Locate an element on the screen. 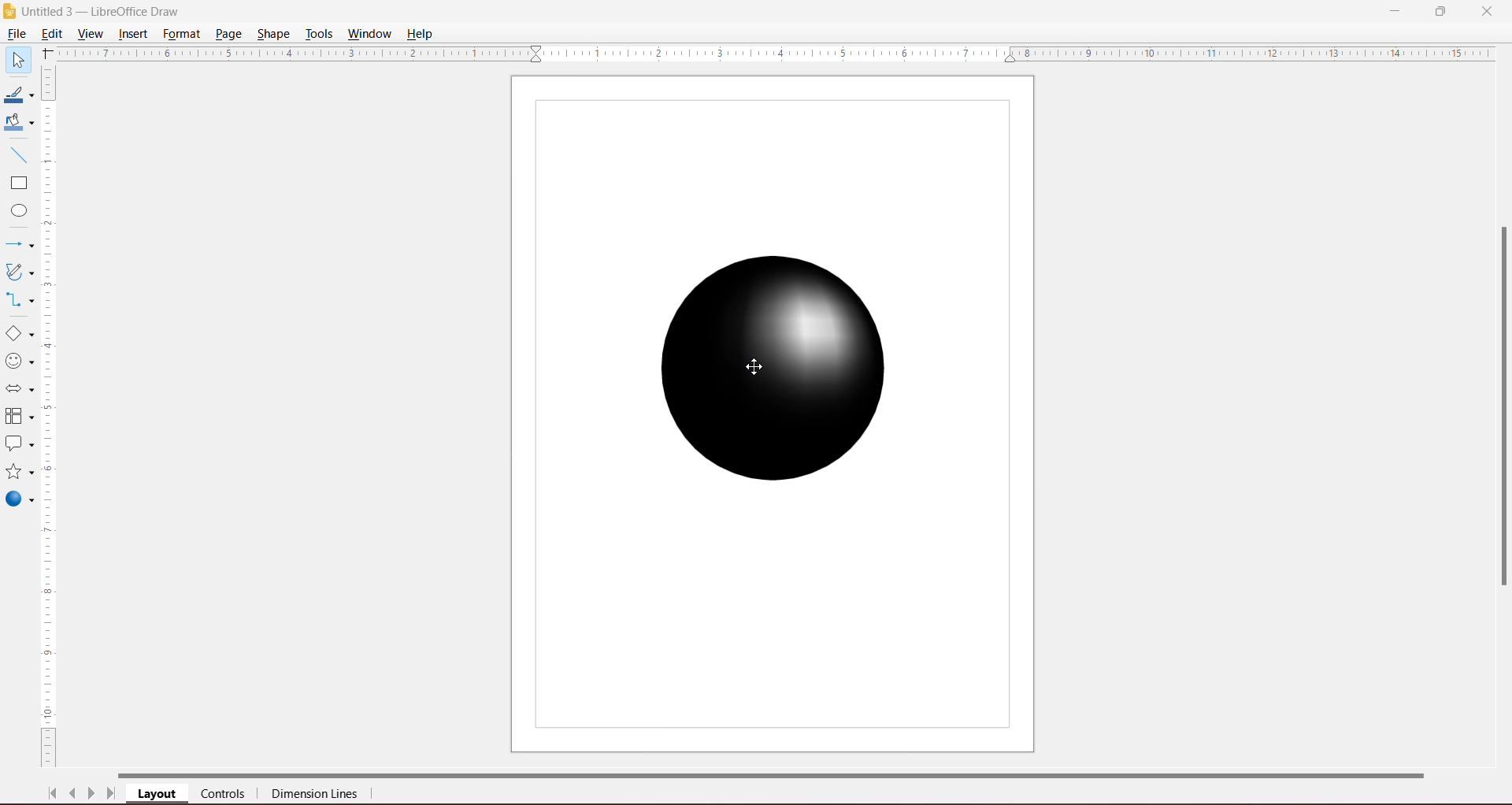  Horizontal Ruler is located at coordinates (776, 53).